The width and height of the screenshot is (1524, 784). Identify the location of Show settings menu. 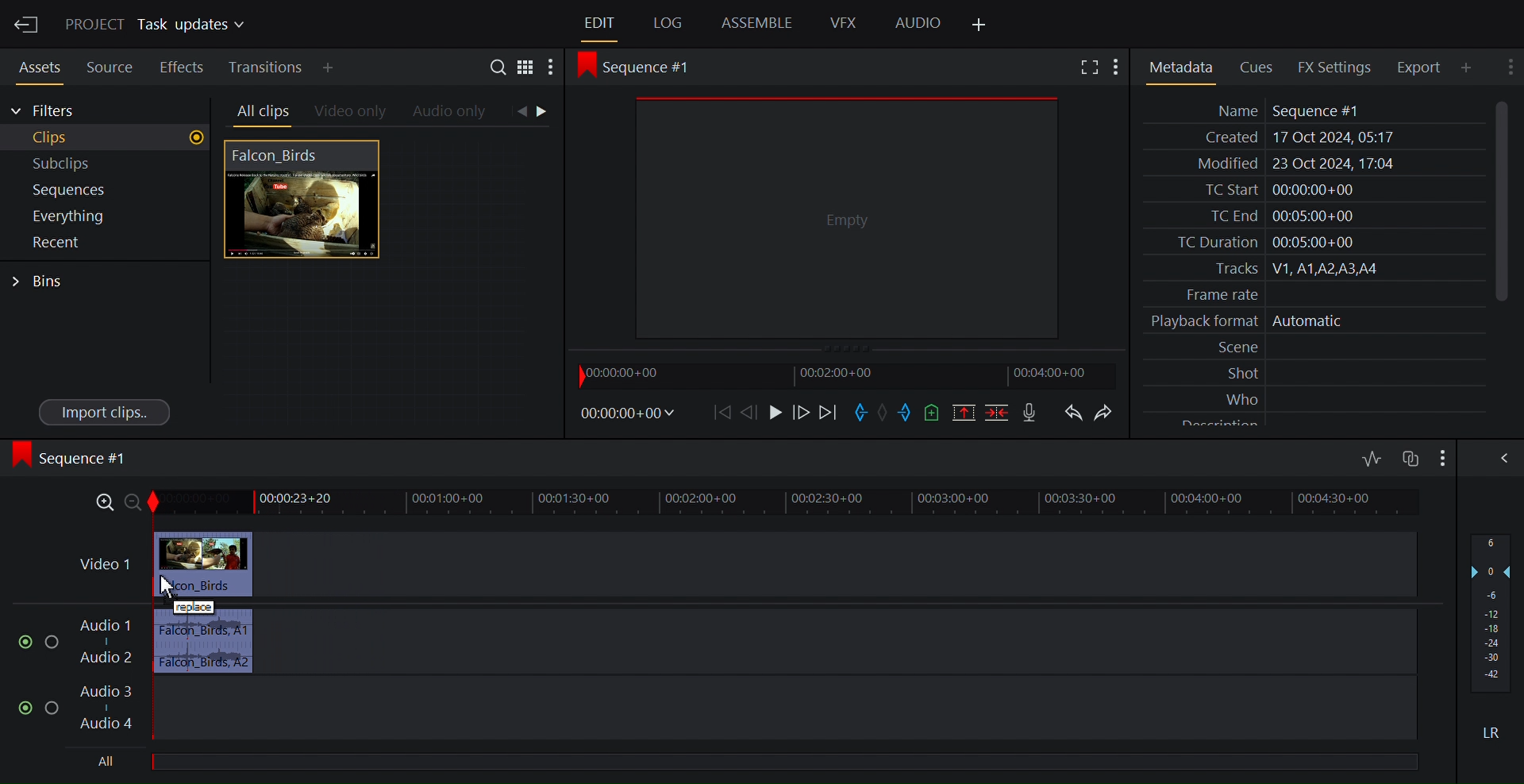
(1120, 67).